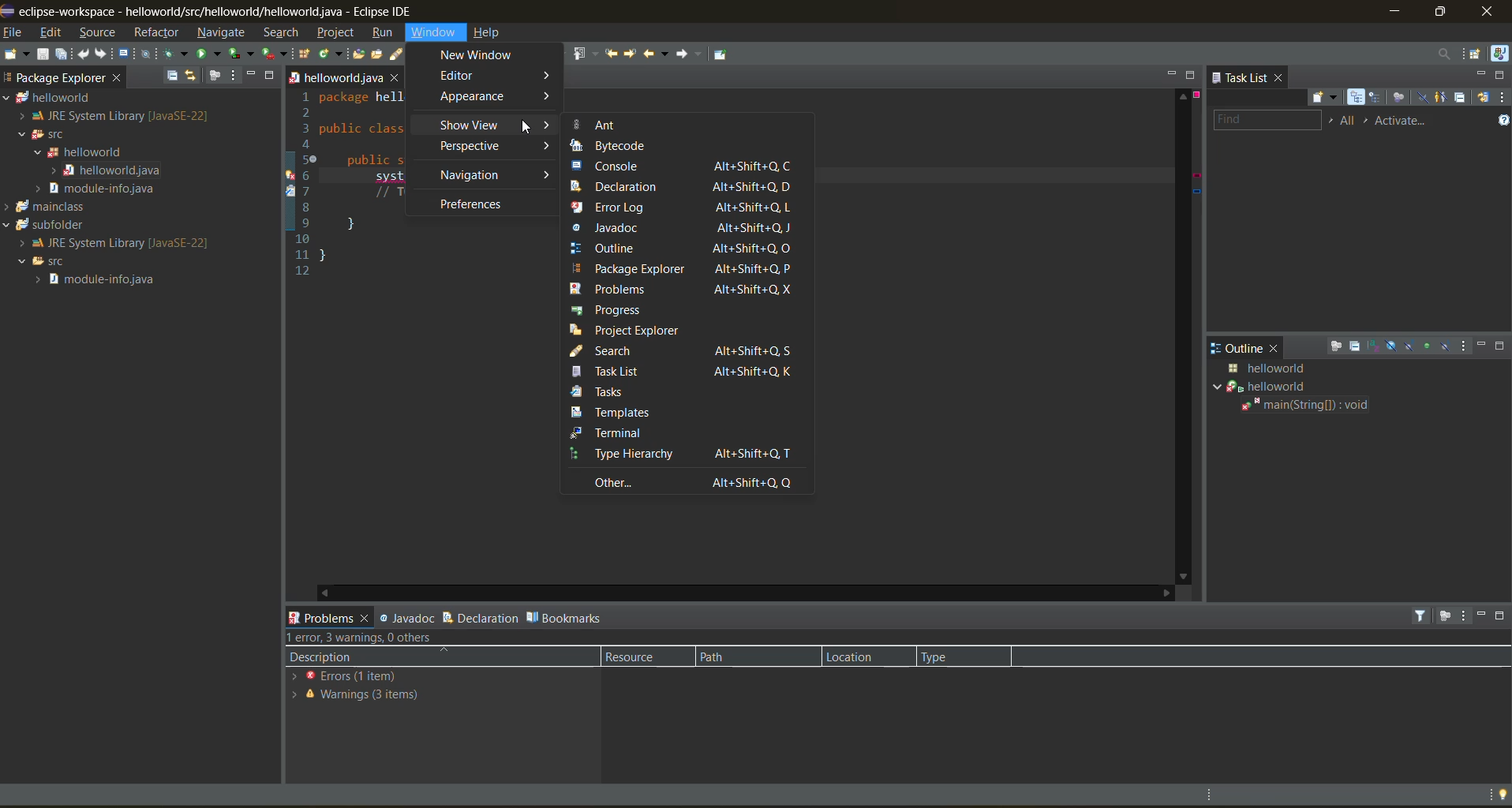 The image size is (1512, 808). I want to click on type, so click(961, 659).